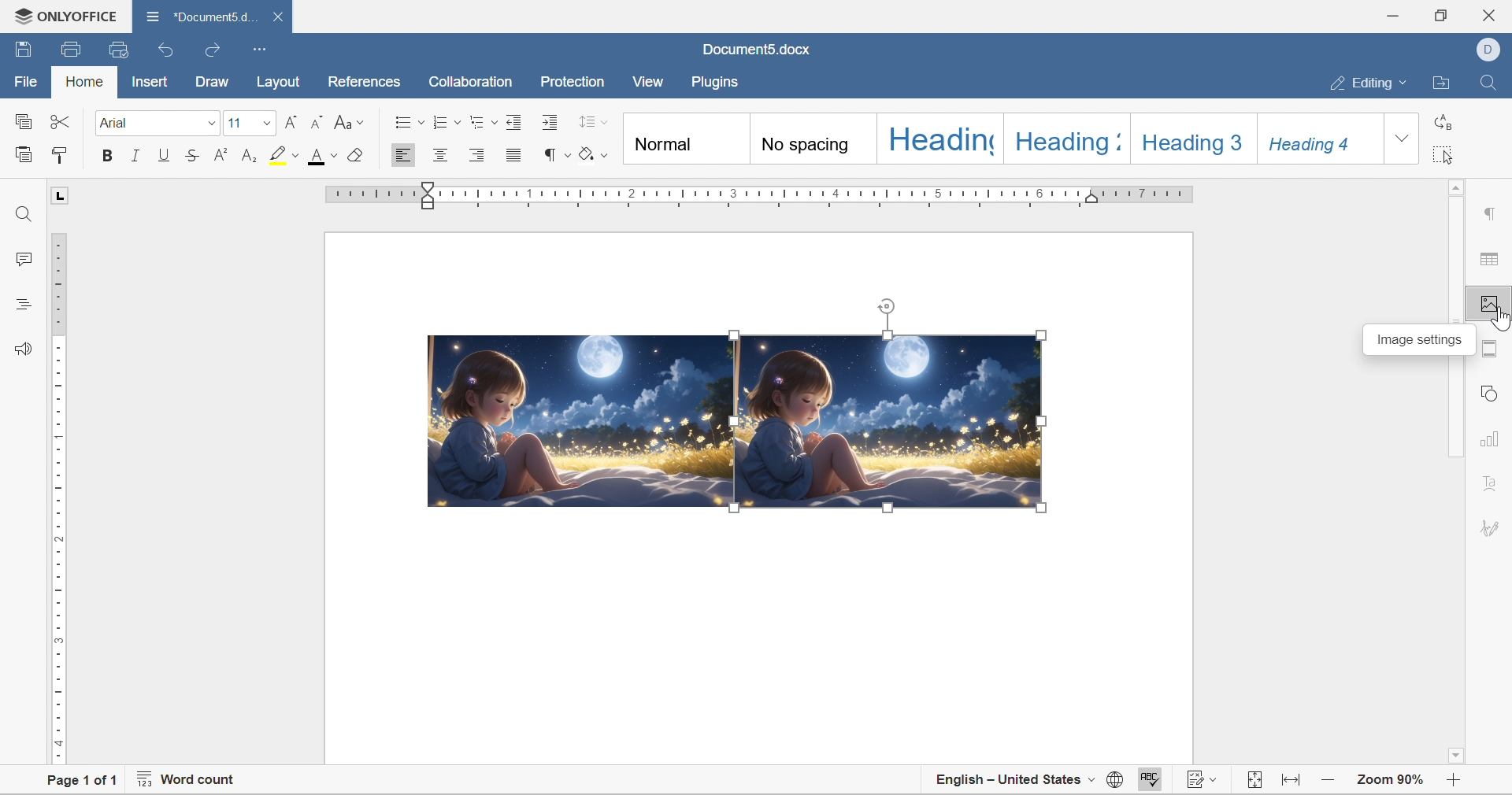 Image resolution: width=1512 pixels, height=795 pixels. Describe the element at coordinates (59, 500) in the screenshot. I see `ruler` at that location.